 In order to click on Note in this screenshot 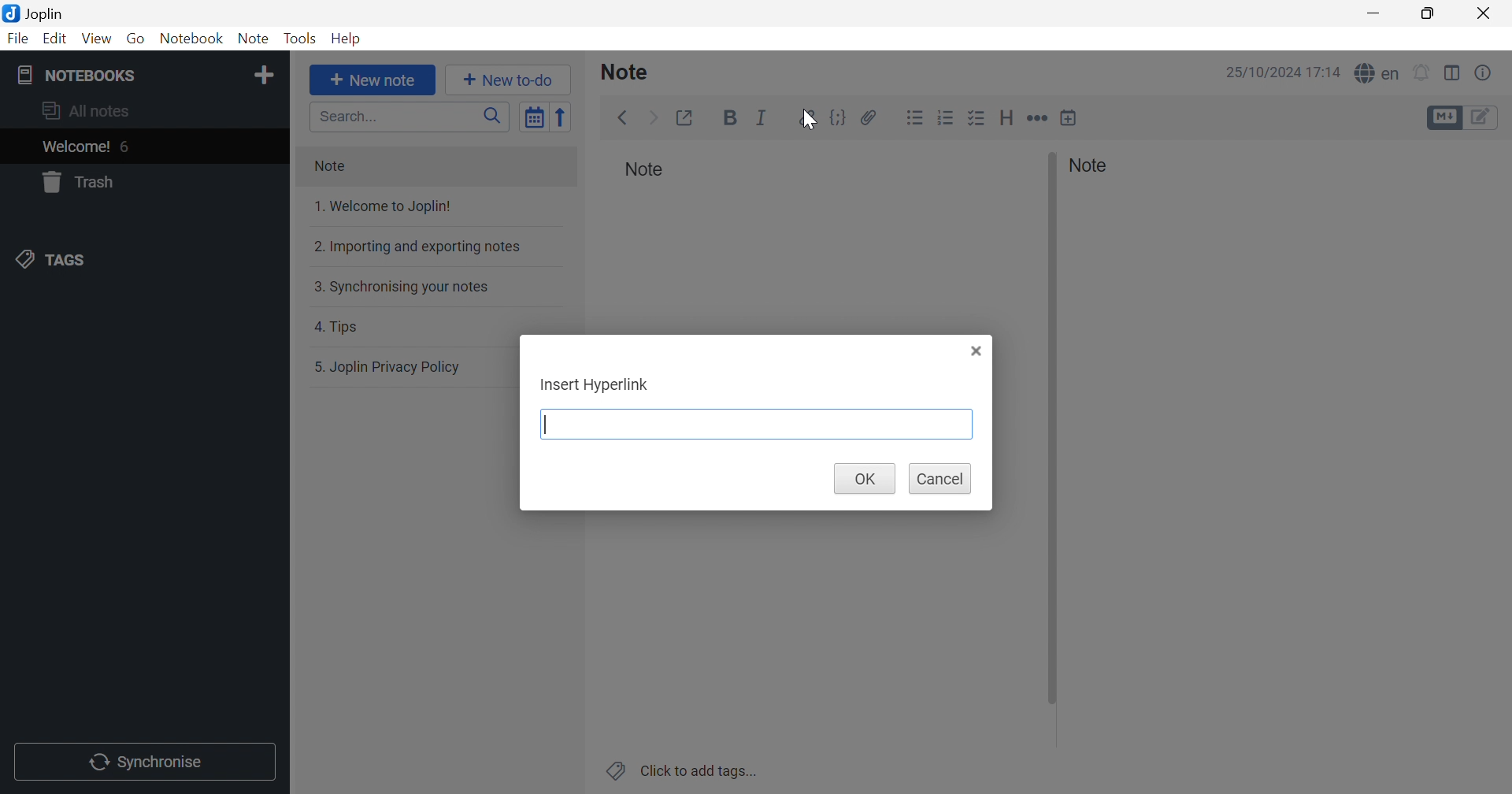, I will do `click(435, 168)`.